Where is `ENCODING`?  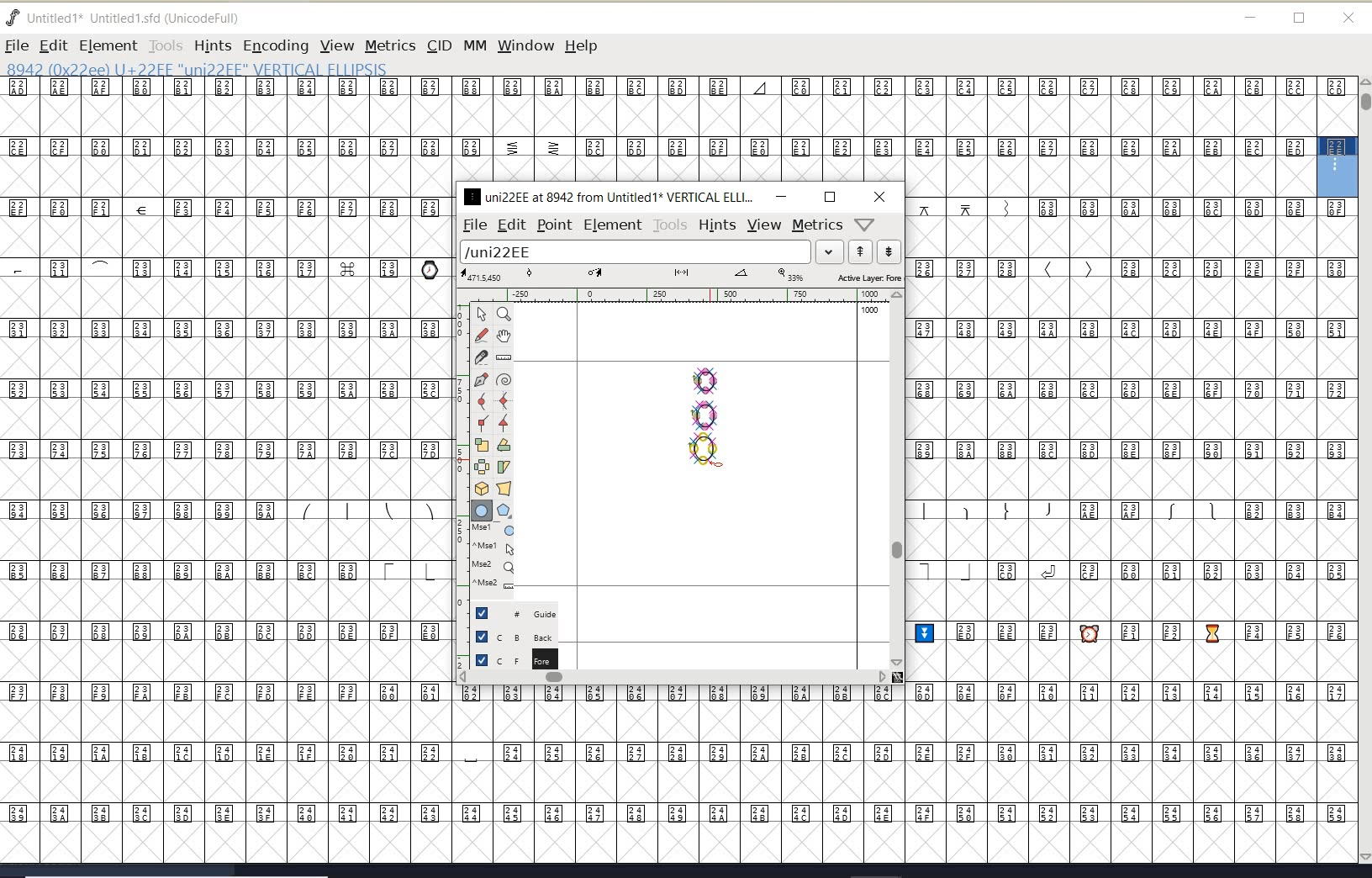 ENCODING is located at coordinates (276, 46).